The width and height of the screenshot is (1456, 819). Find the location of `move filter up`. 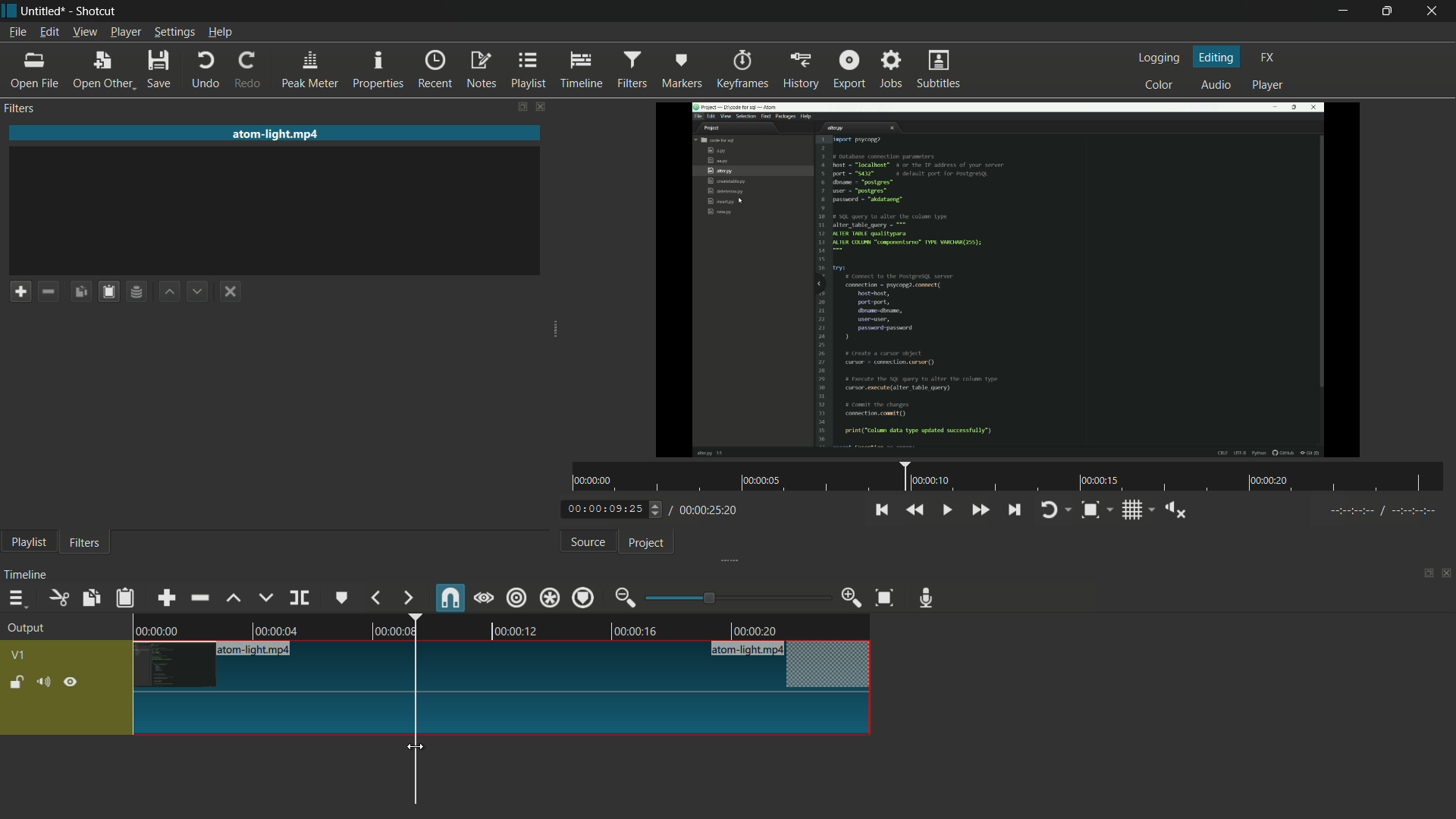

move filter up is located at coordinates (171, 293).